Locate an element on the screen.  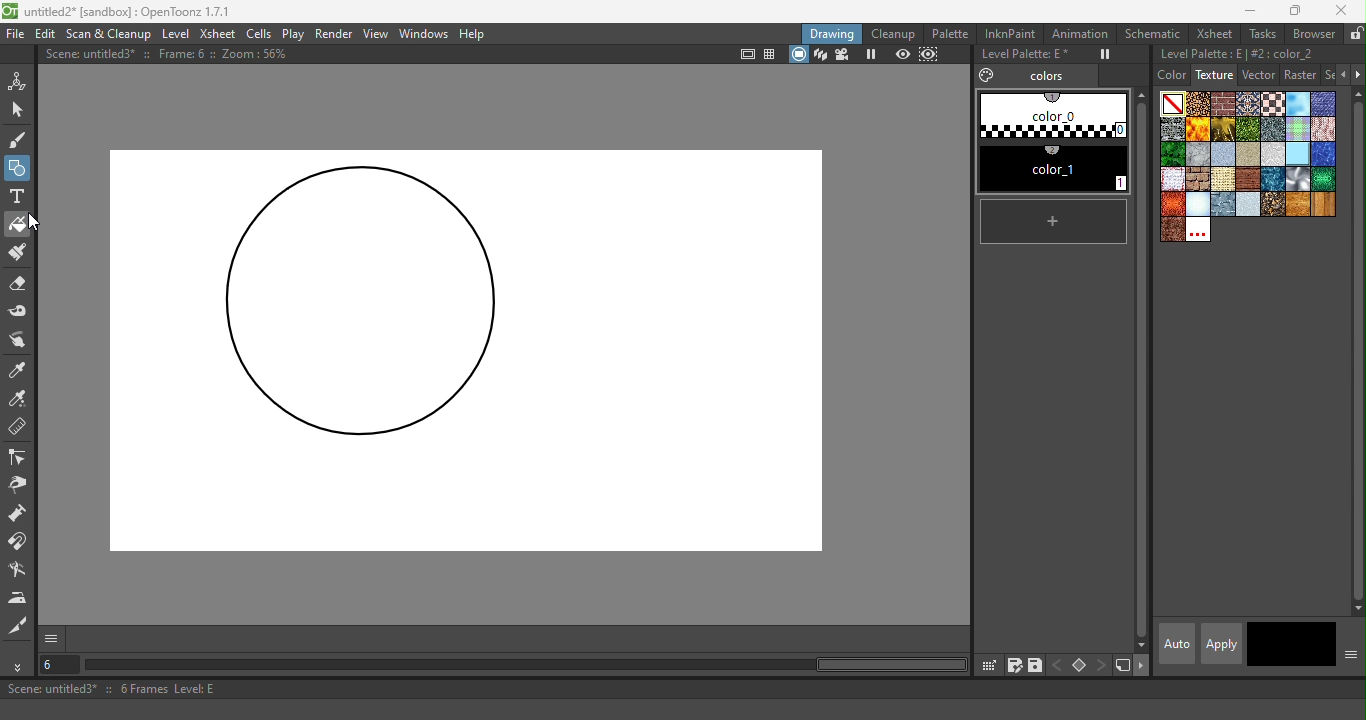
Magnet tool is located at coordinates (18, 543).